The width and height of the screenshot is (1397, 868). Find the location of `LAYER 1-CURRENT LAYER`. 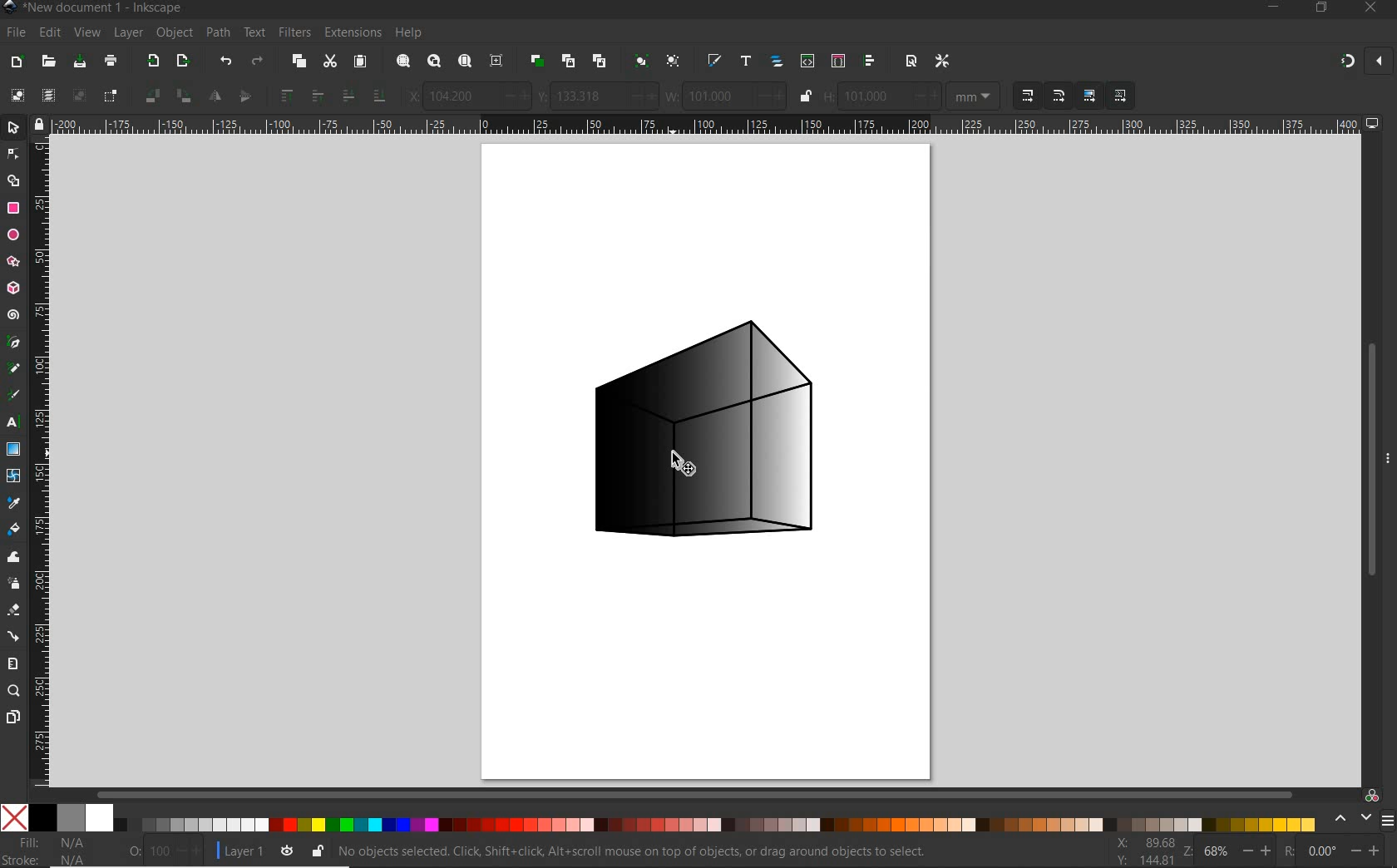

LAYER 1-CURRENT LAYER is located at coordinates (239, 853).